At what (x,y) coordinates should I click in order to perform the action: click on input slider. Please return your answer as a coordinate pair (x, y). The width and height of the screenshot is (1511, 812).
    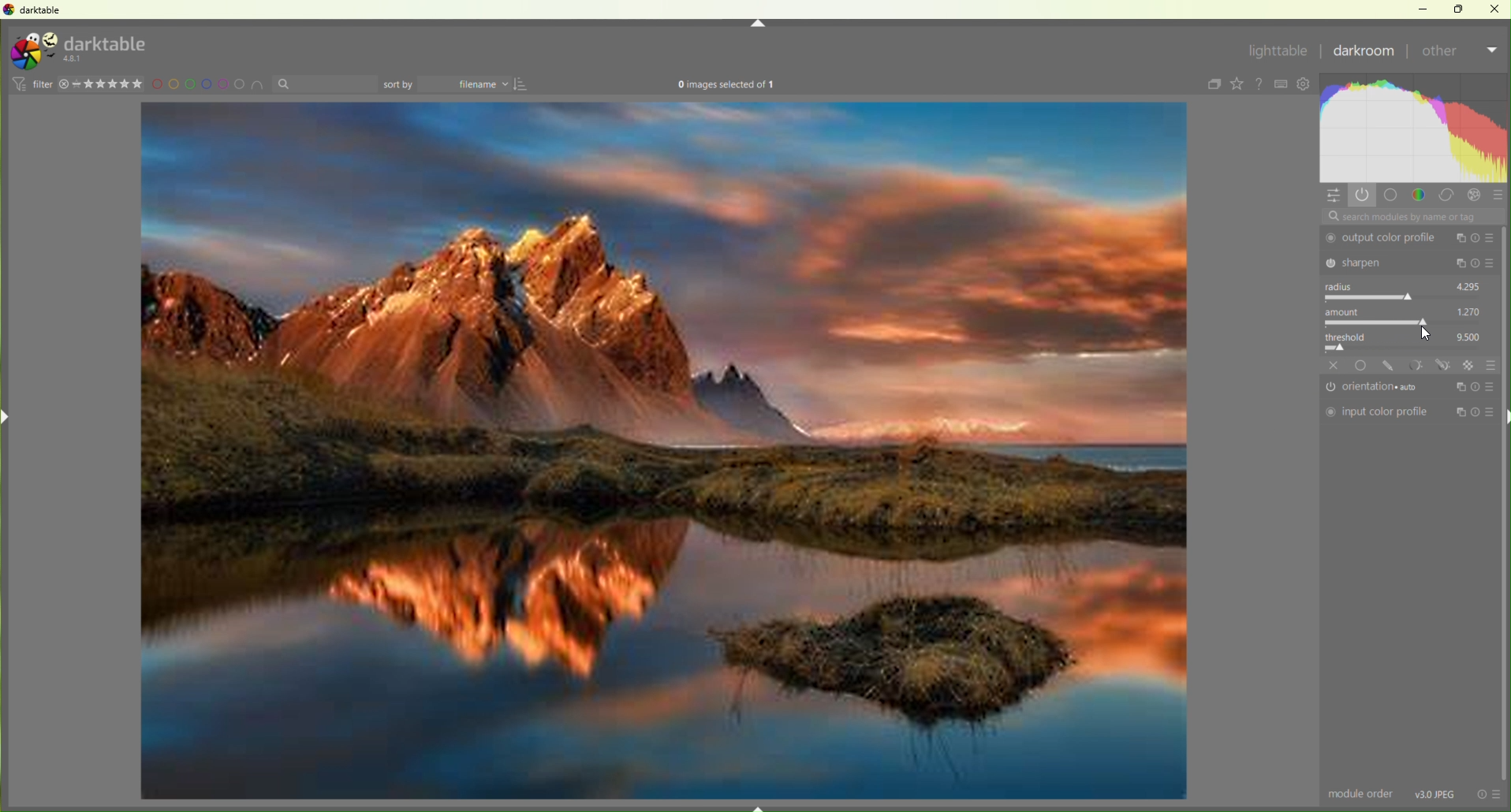
    Looking at the image, I should click on (1405, 322).